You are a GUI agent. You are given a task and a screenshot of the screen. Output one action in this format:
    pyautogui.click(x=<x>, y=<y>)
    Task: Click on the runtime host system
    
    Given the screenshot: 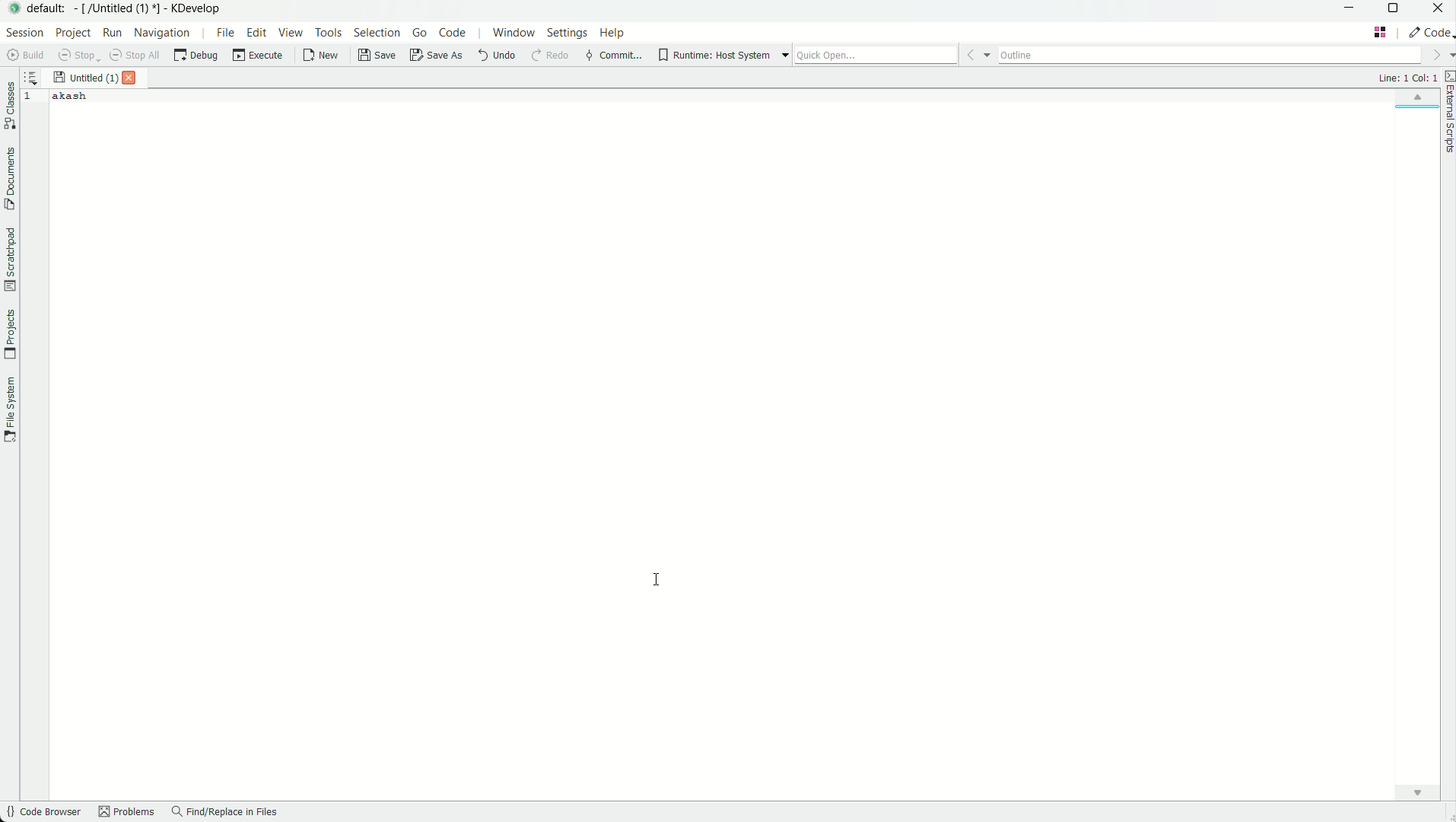 What is the action you would take?
    pyautogui.click(x=714, y=56)
    